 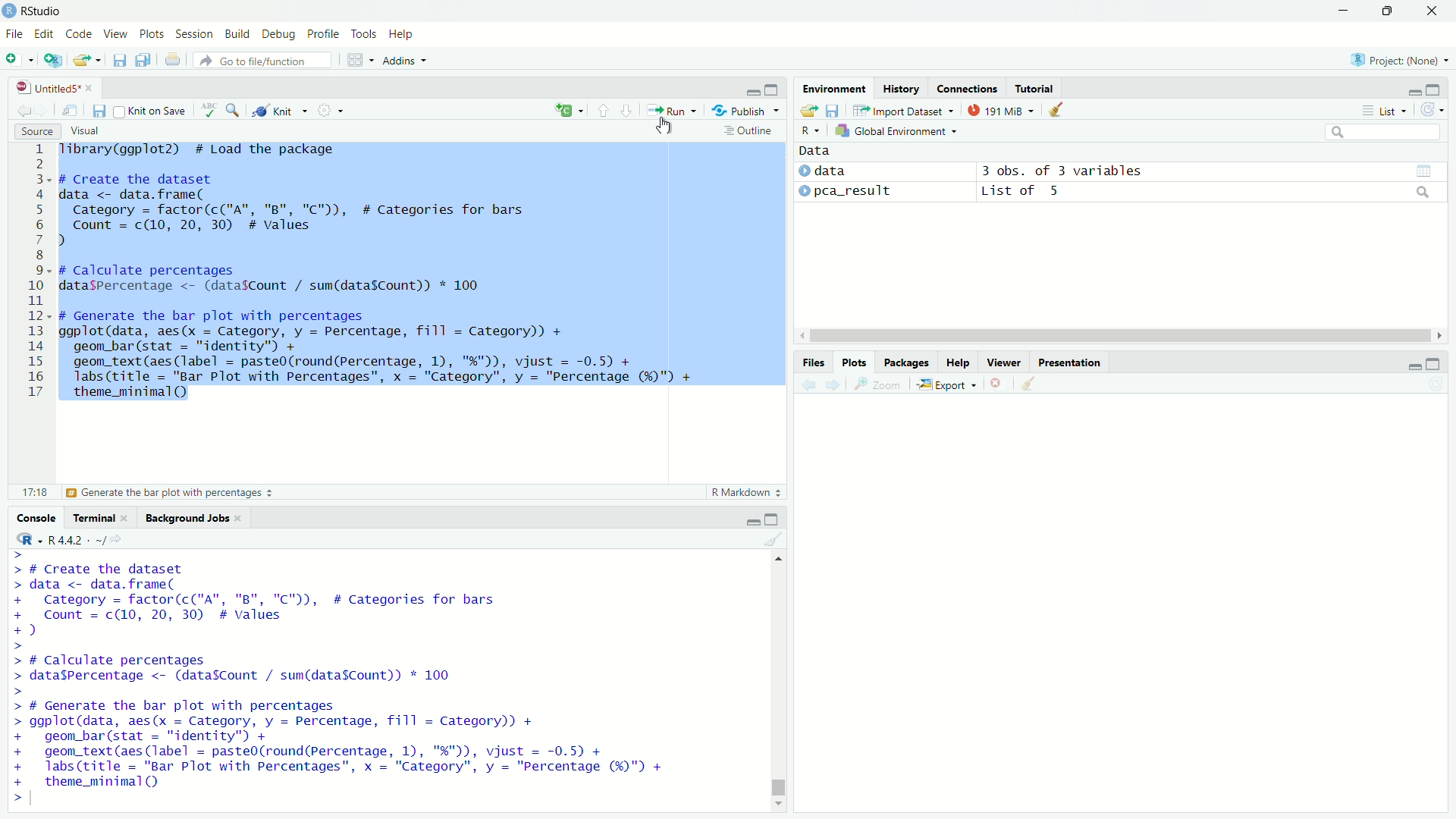 What do you see at coordinates (833, 385) in the screenshot?
I see `go forward` at bounding box center [833, 385].